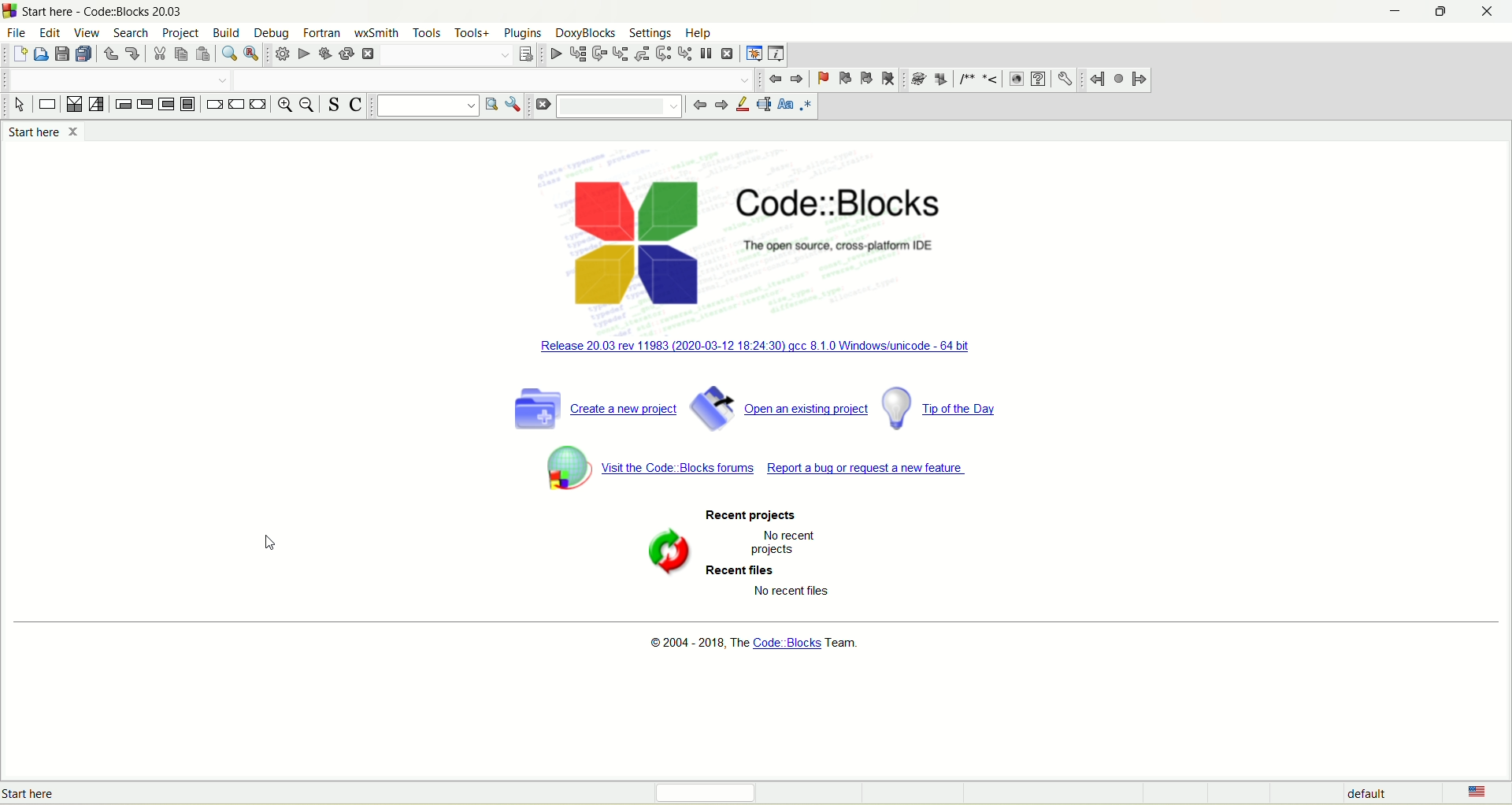 Image resolution: width=1512 pixels, height=805 pixels. What do you see at coordinates (1488, 792) in the screenshot?
I see `language` at bounding box center [1488, 792].